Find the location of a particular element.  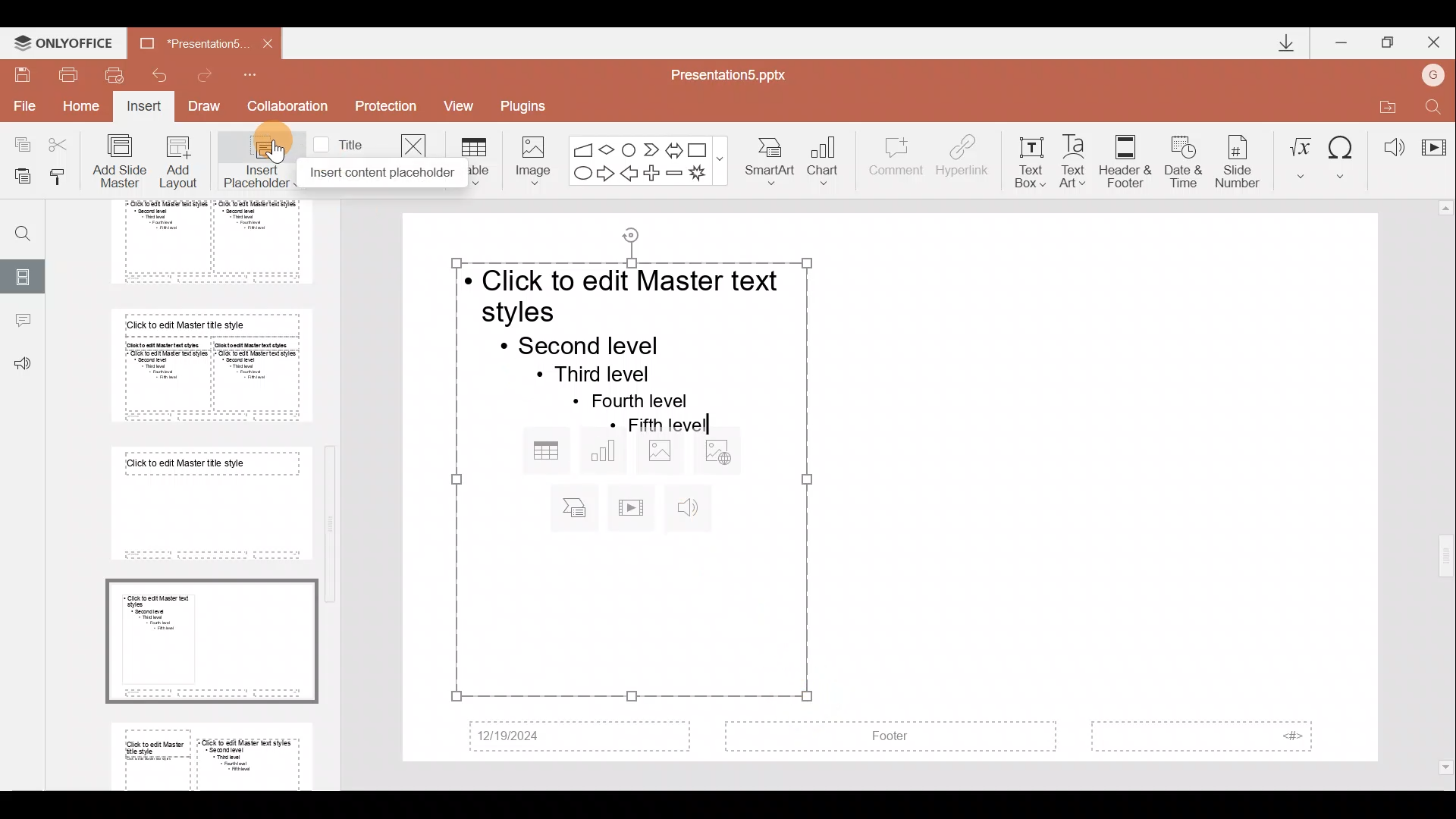

Document name is located at coordinates (181, 42).